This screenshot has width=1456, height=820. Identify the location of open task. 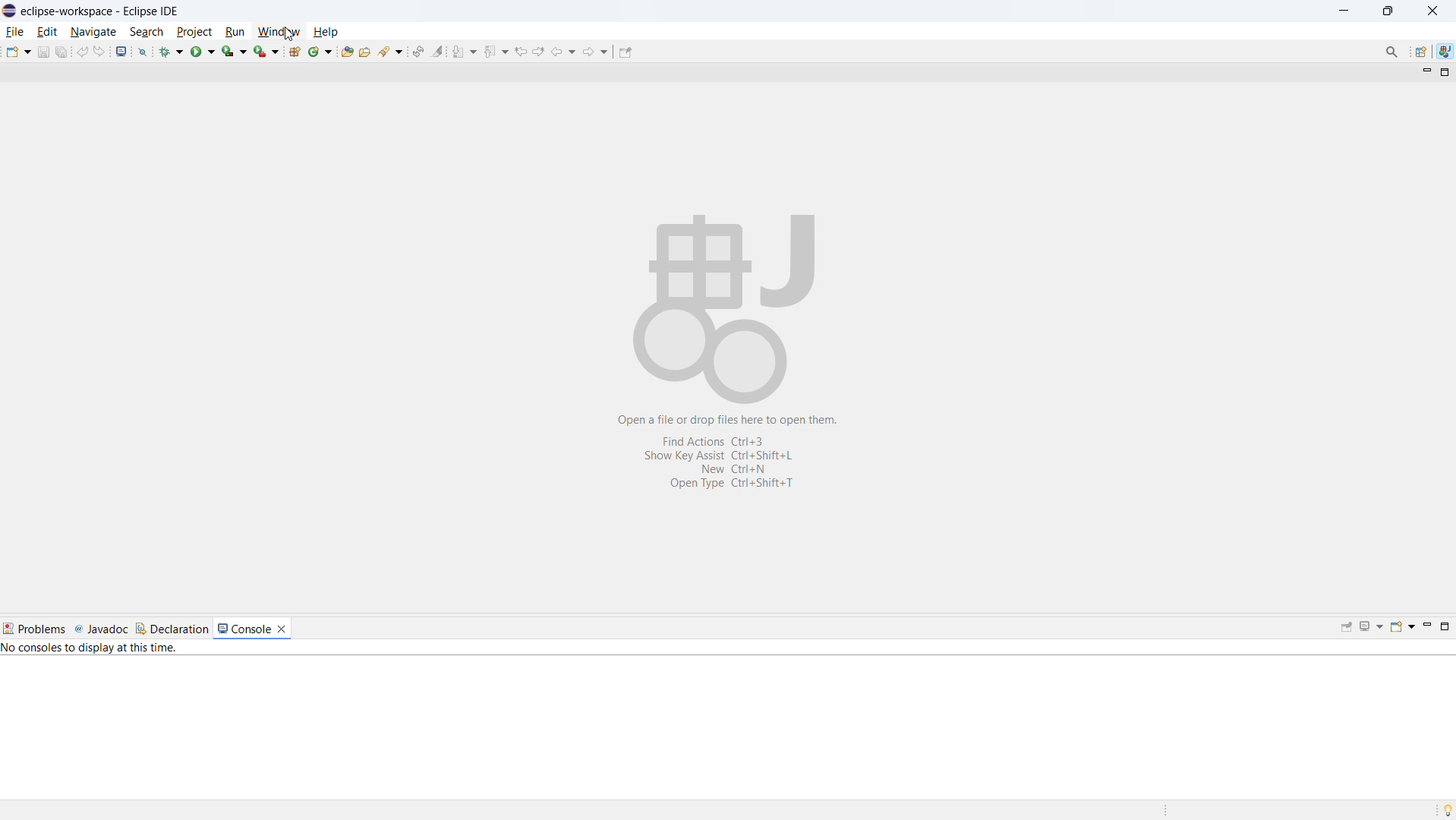
(365, 51).